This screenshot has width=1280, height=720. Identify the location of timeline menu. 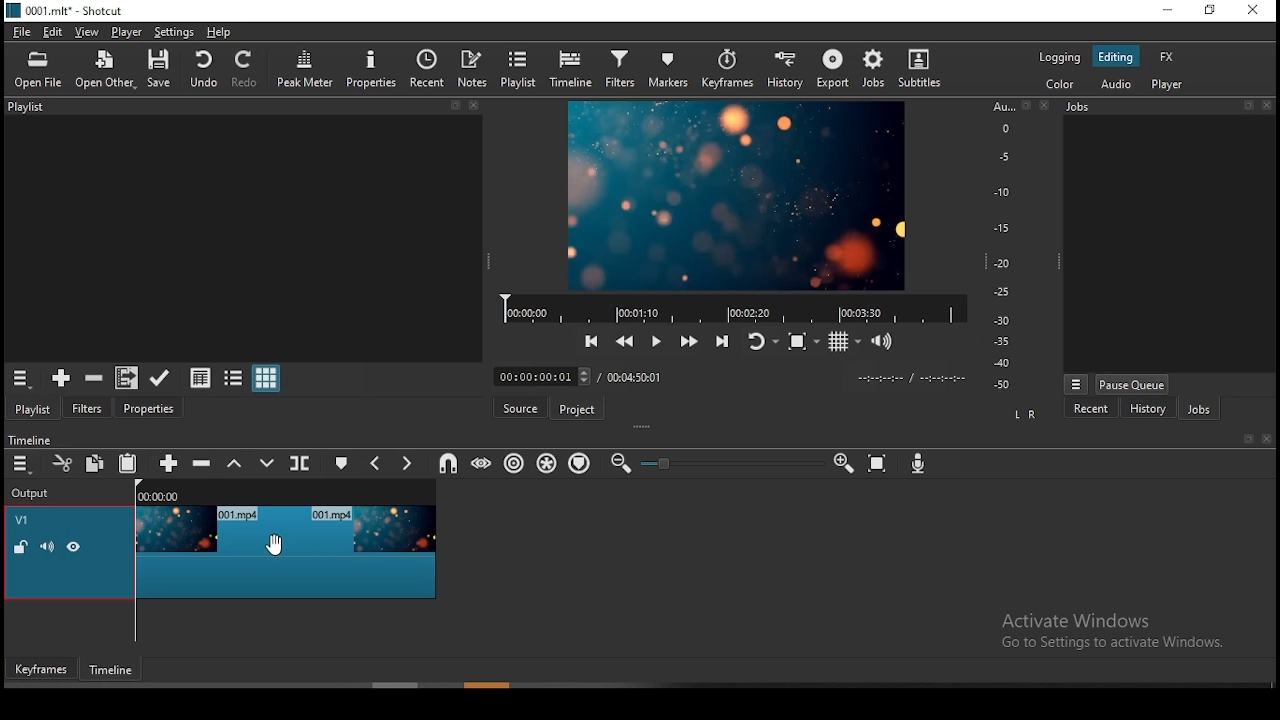
(22, 463).